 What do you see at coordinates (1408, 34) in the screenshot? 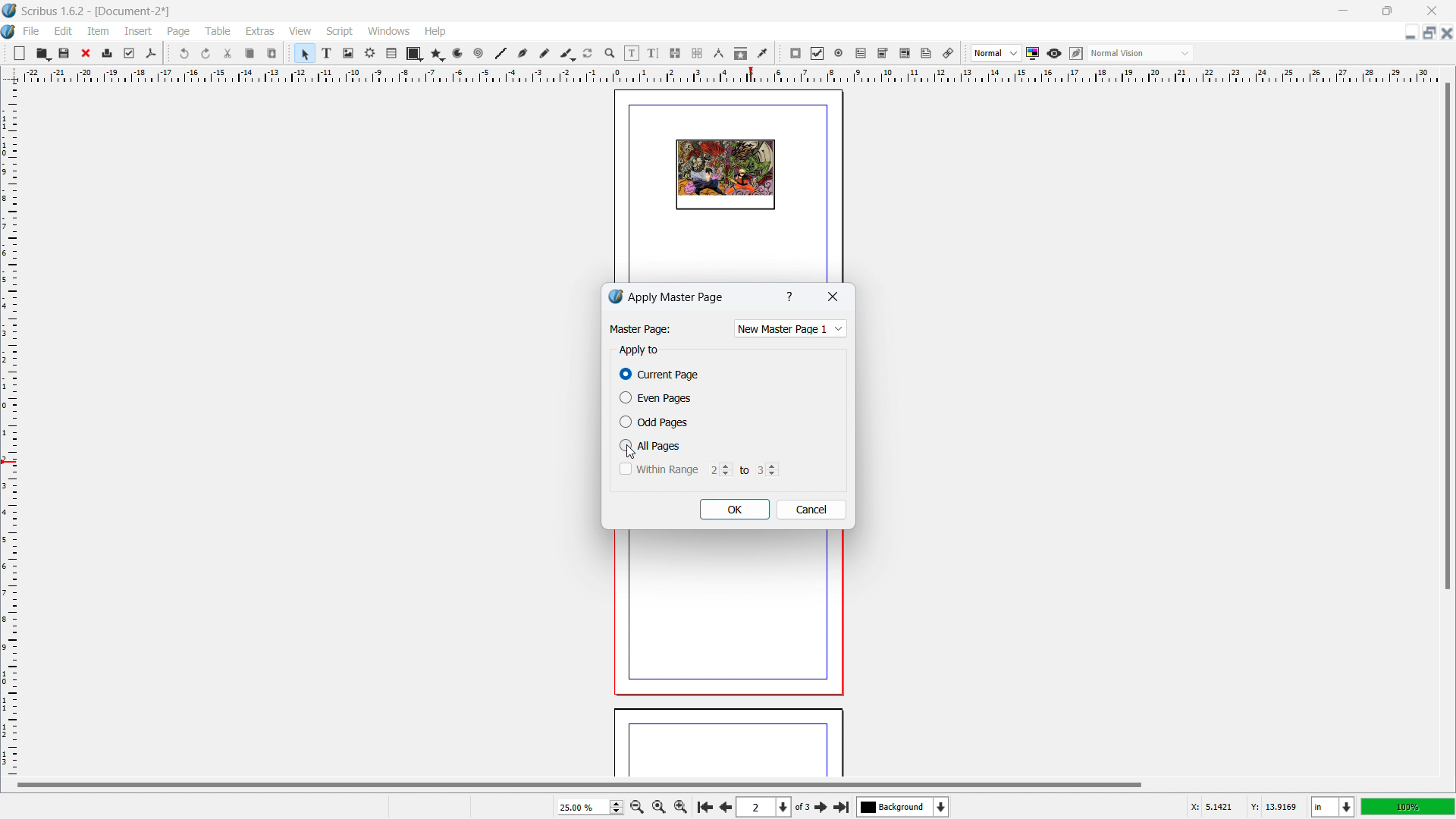
I see `minimize document` at bounding box center [1408, 34].